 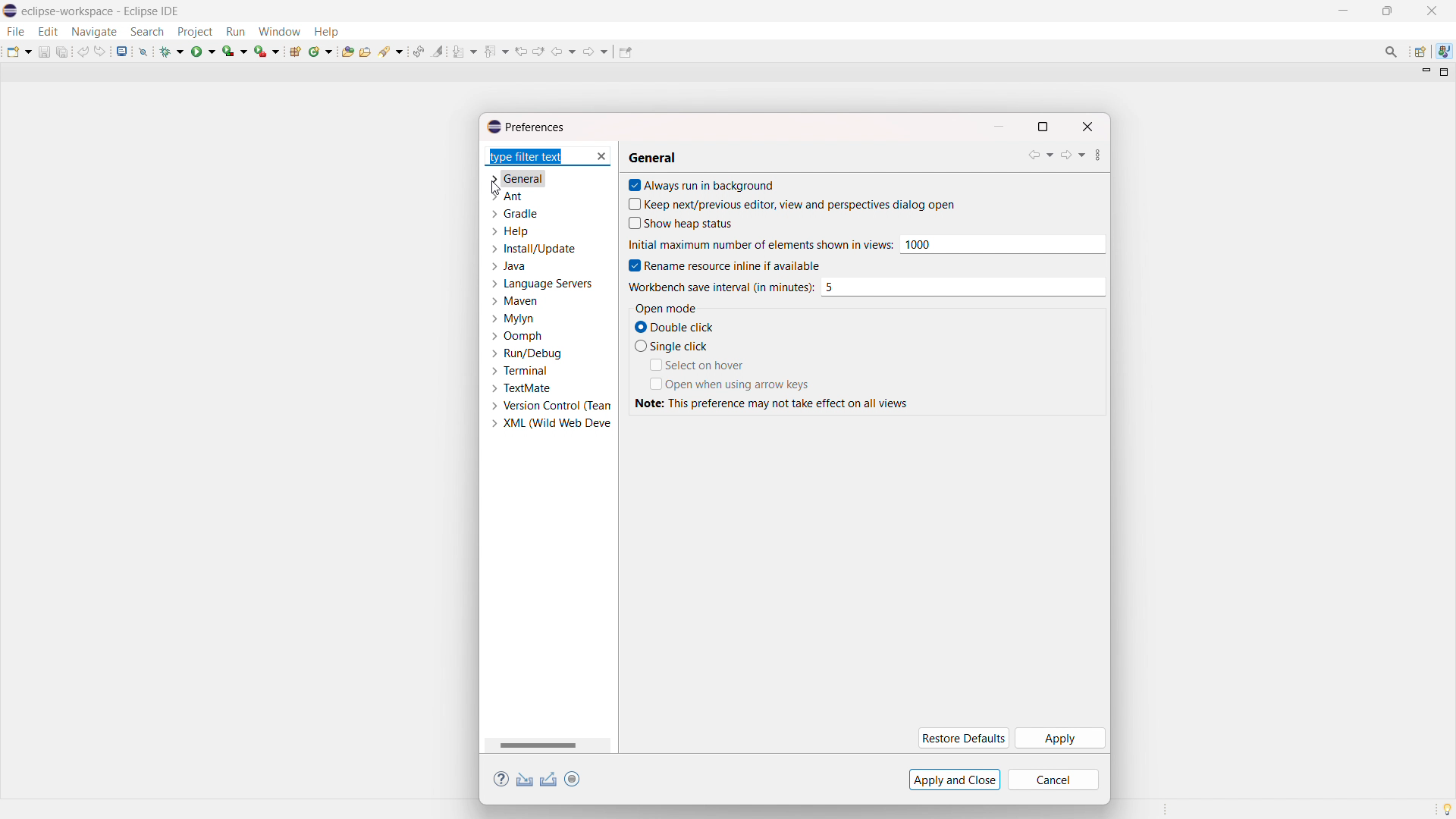 I want to click on Checkbox, so click(x=631, y=185).